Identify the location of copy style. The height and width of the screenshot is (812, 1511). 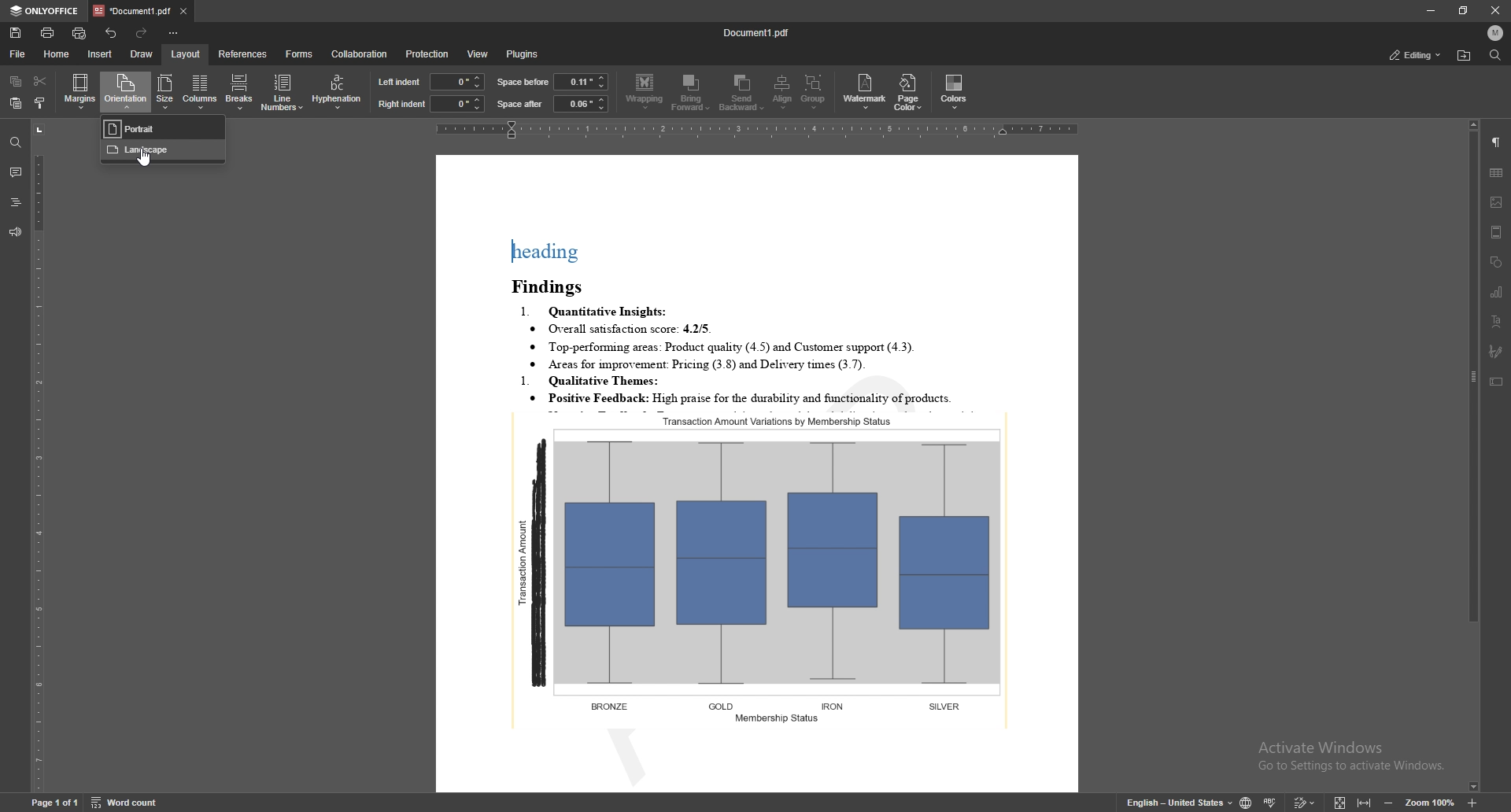
(39, 103).